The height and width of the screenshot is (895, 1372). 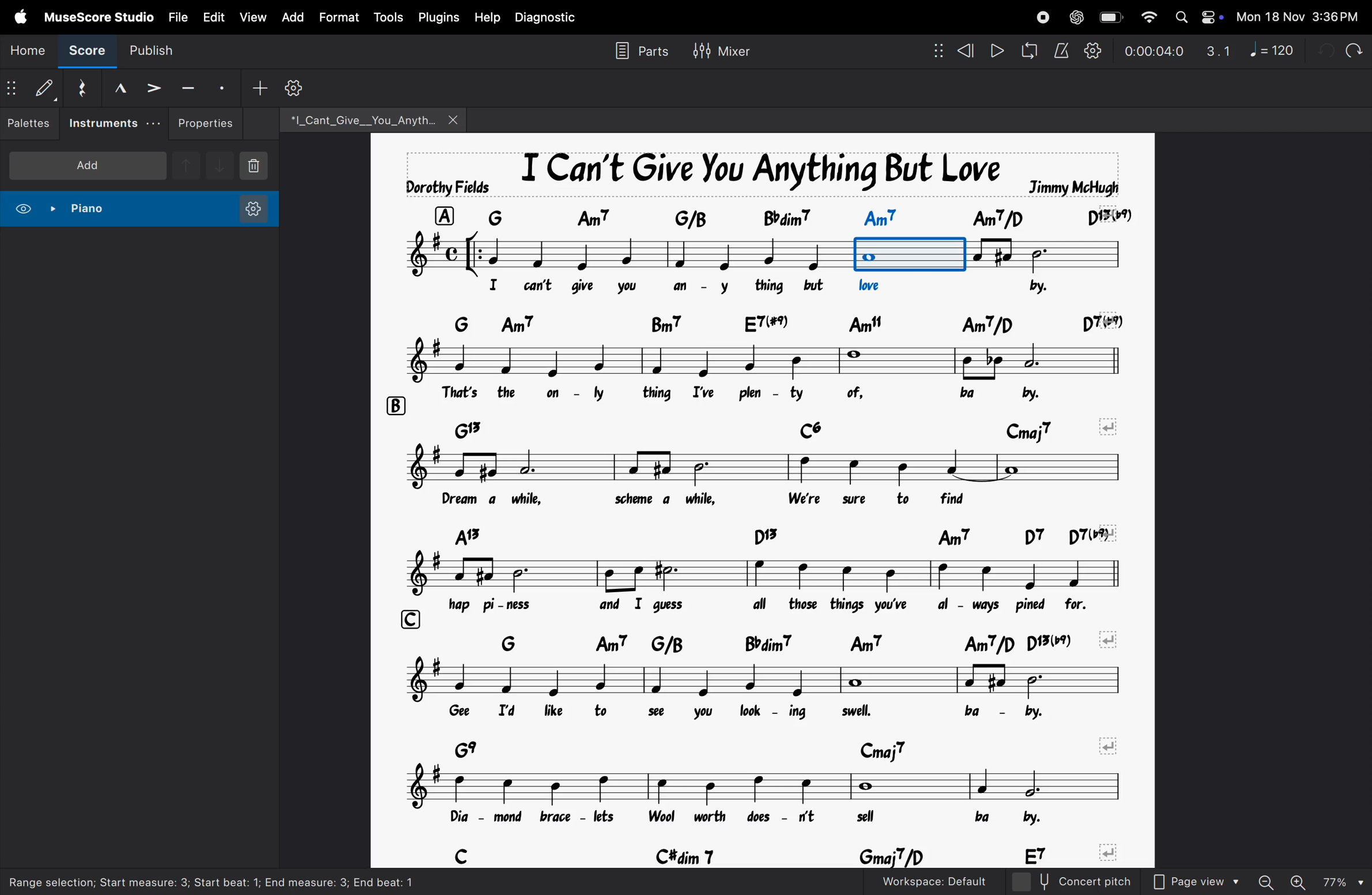 I want to click on file, so click(x=174, y=16).